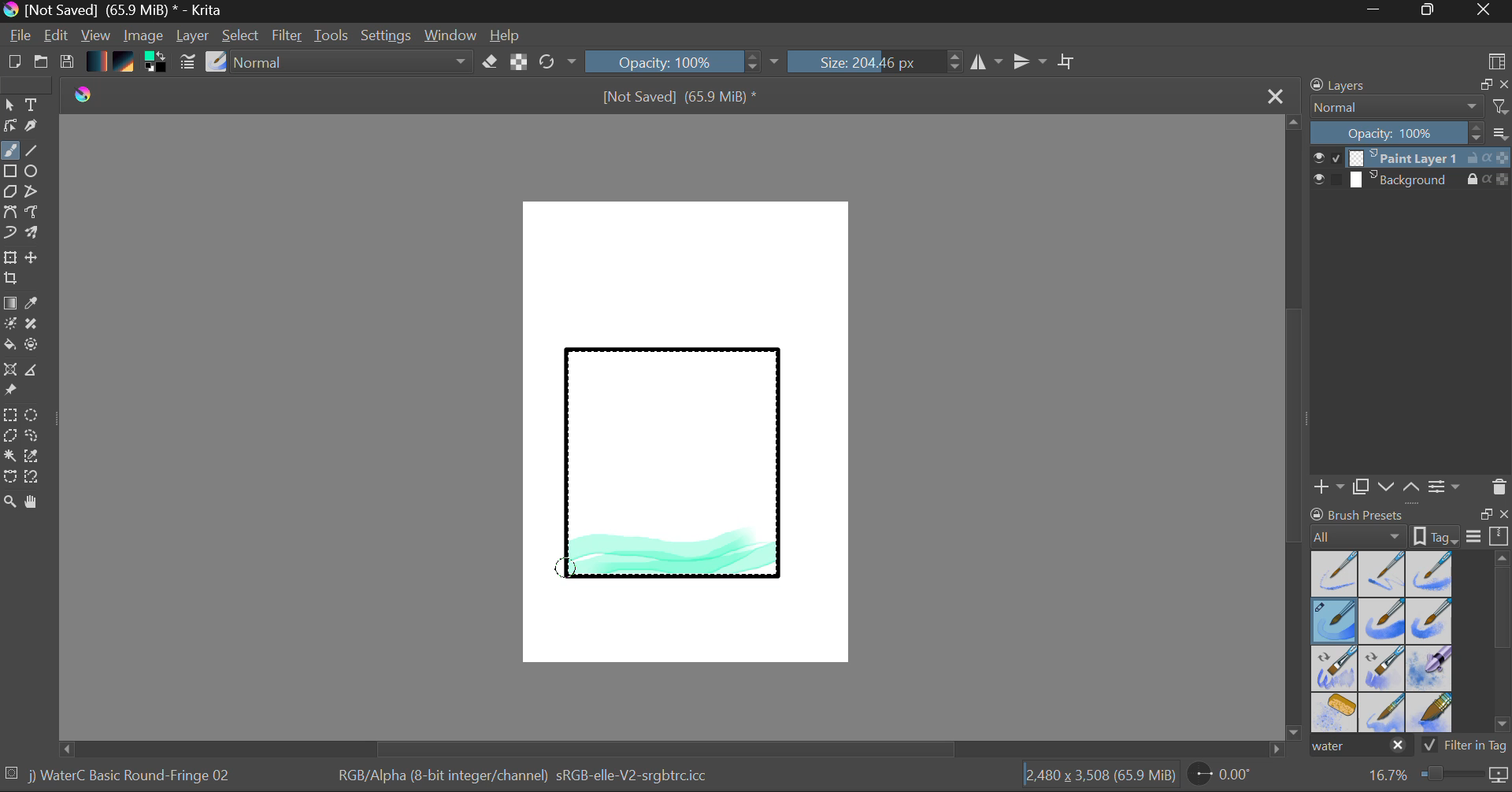  I want to click on Similar Color Selector, so click(36, 457).